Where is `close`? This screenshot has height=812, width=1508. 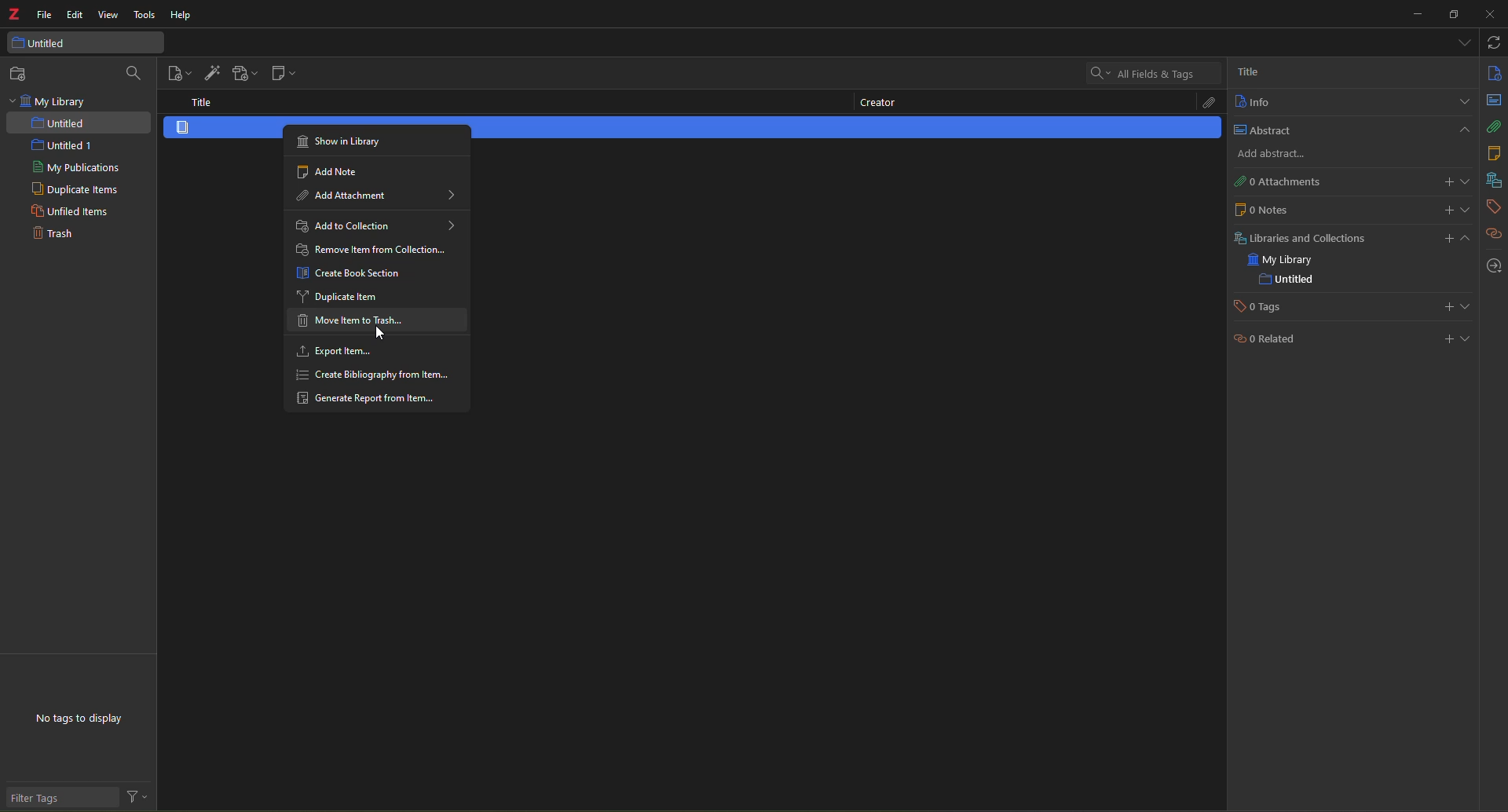
close is located at coordinates (1462, 130).